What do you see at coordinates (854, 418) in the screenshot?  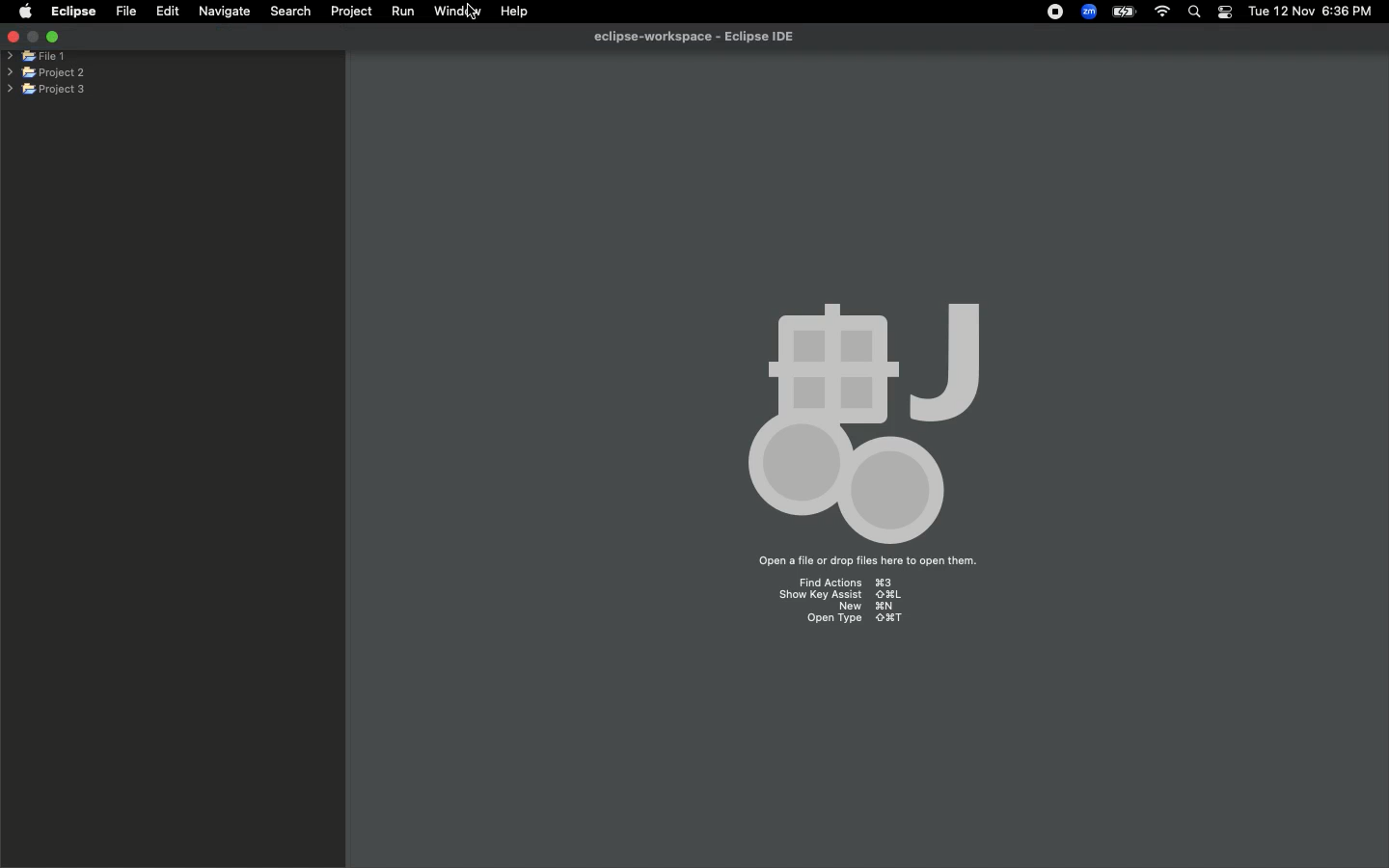 I see `Icon` at bounding box center [854, 418].